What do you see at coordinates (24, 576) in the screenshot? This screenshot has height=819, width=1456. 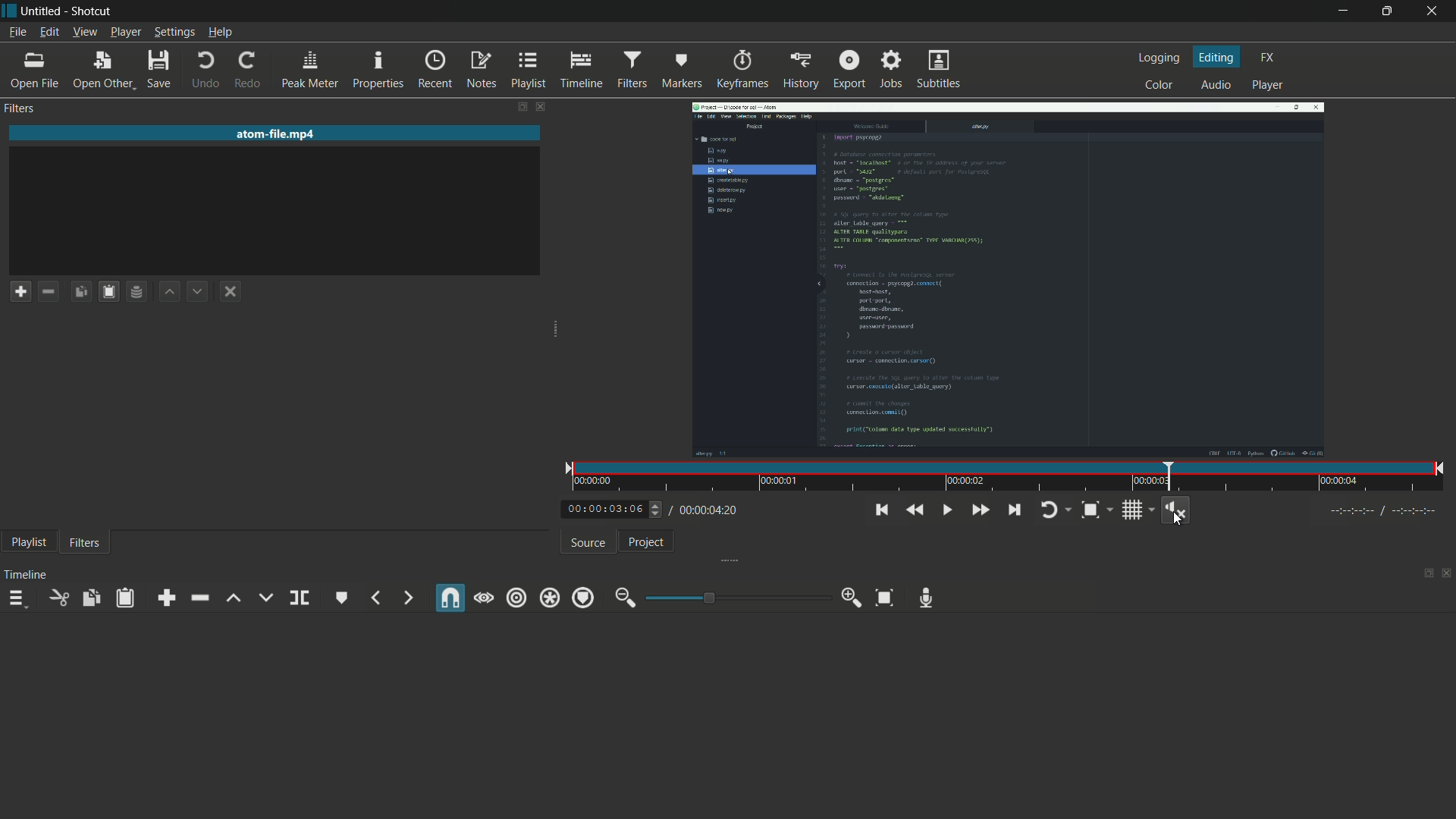 I see `timeline` at bounding box center [24, 576].